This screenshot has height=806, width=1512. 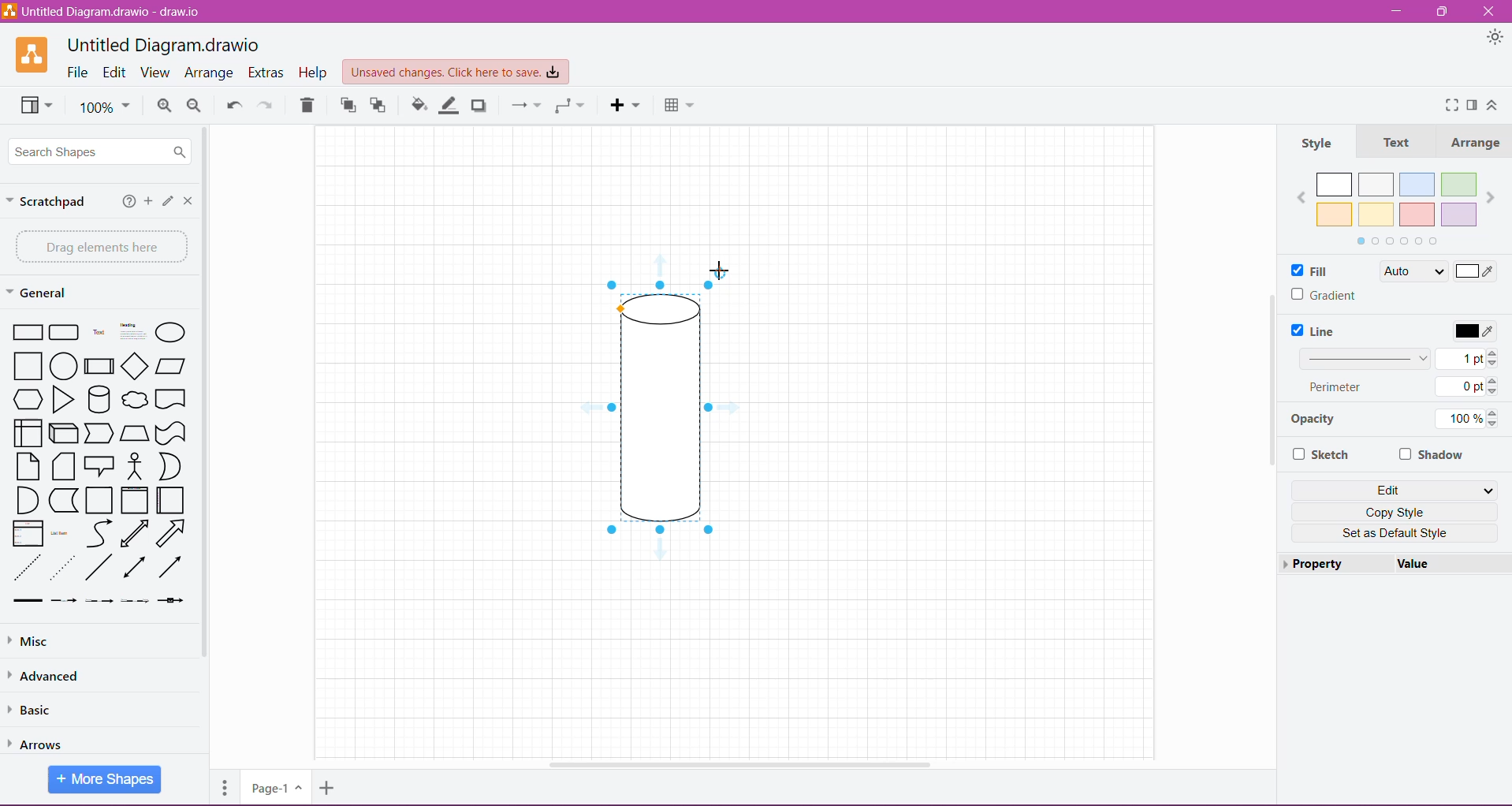 I want to click on Shadow, so click(x=482, y=106).